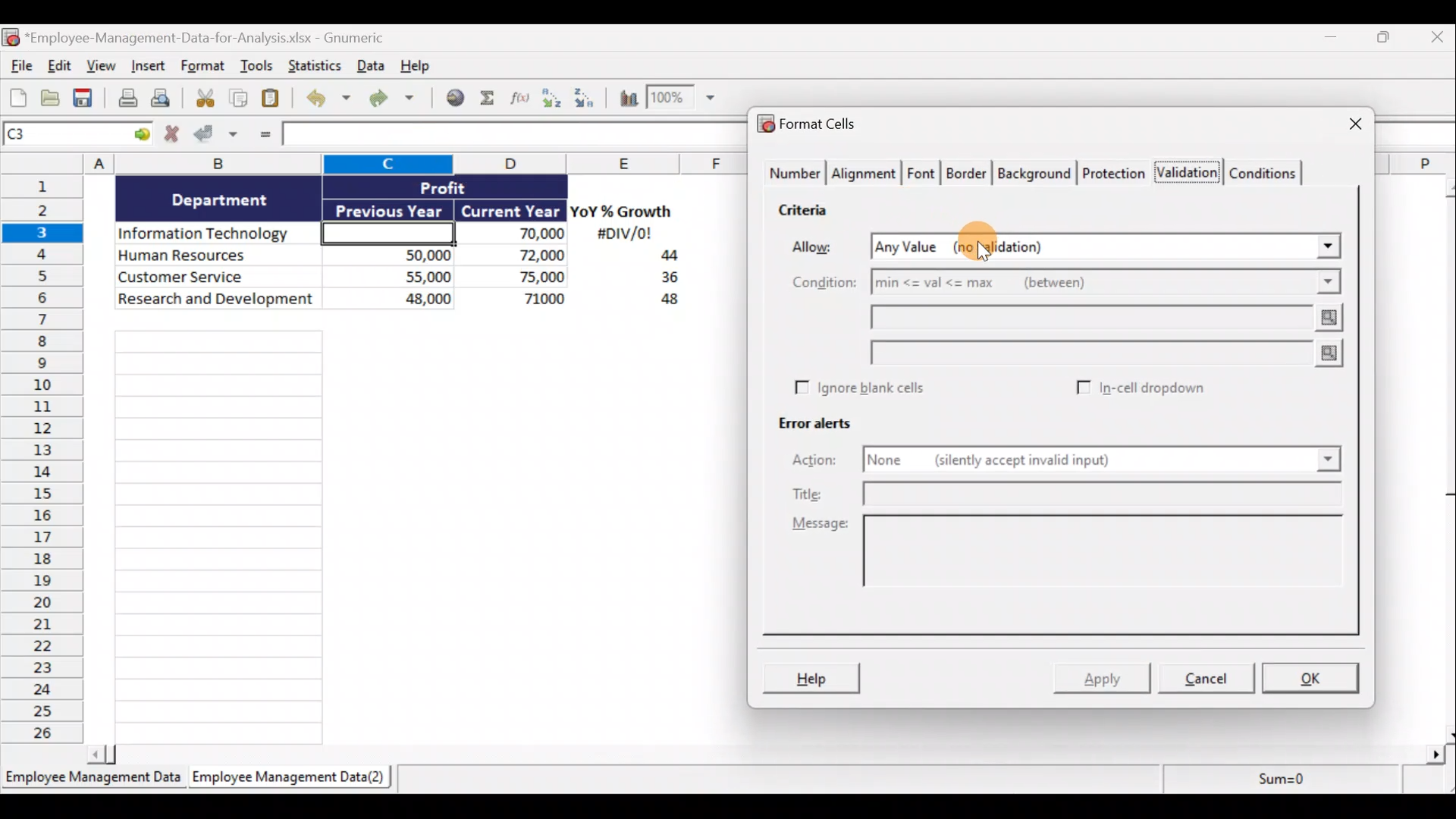 This screenshot has width=1456, height=819. I want to click on 70,000, so click(519, 234).